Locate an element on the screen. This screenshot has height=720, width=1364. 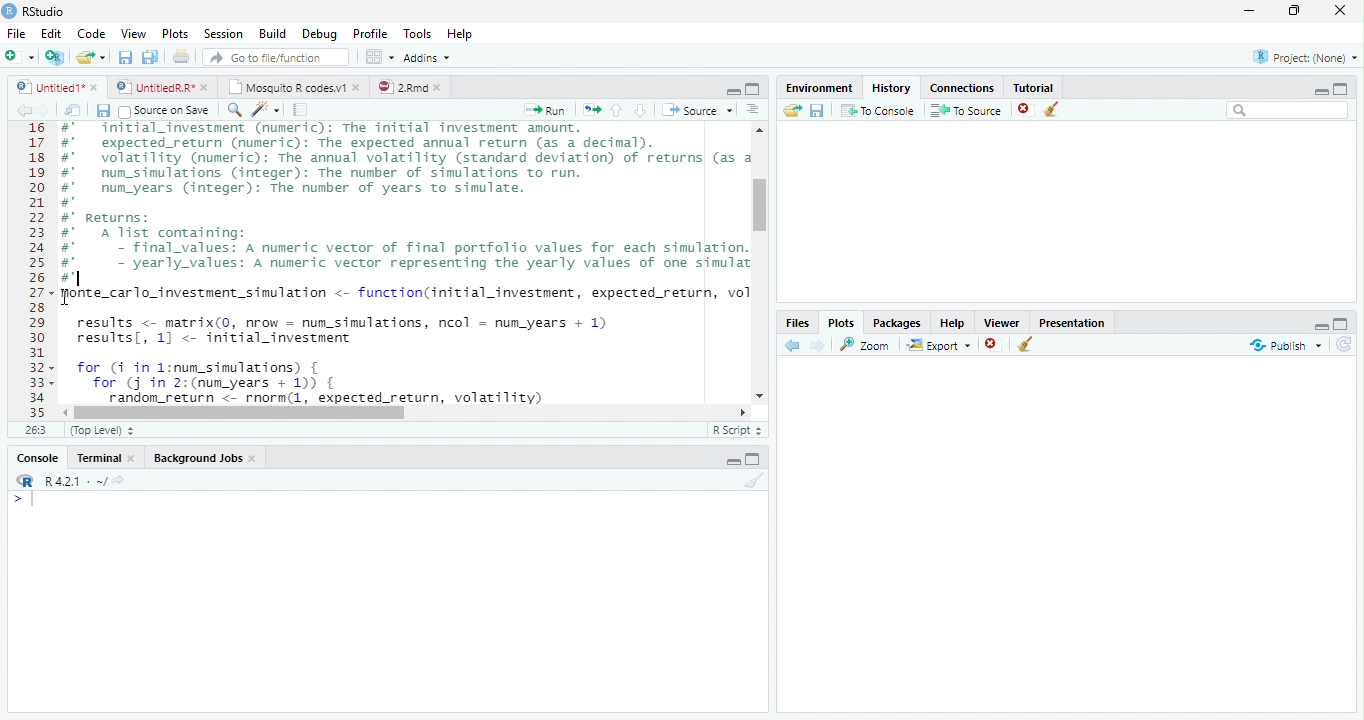
Source is located at coordinates (696, 109).